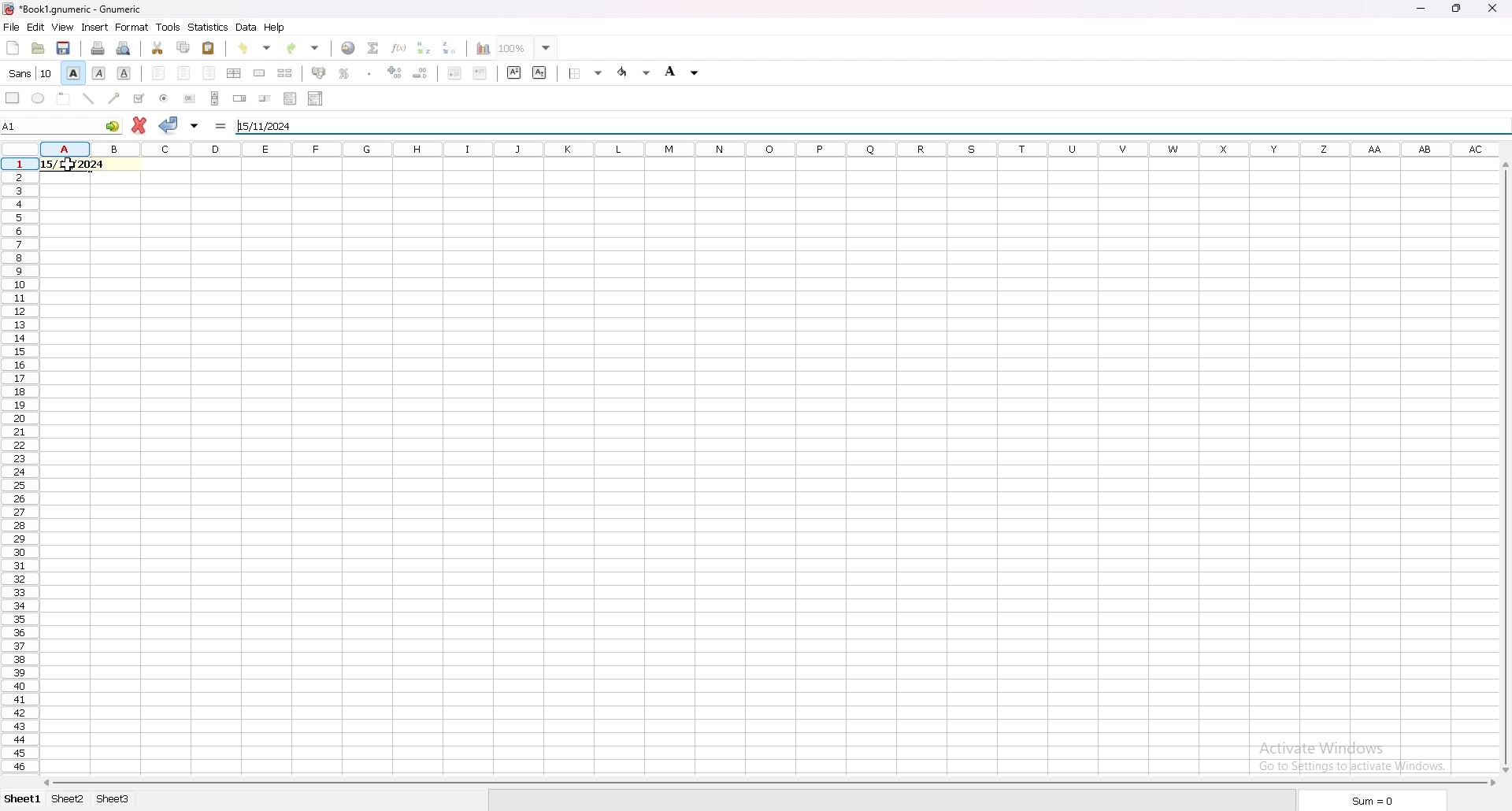  I want to click on sheet3, so click(115, 800).